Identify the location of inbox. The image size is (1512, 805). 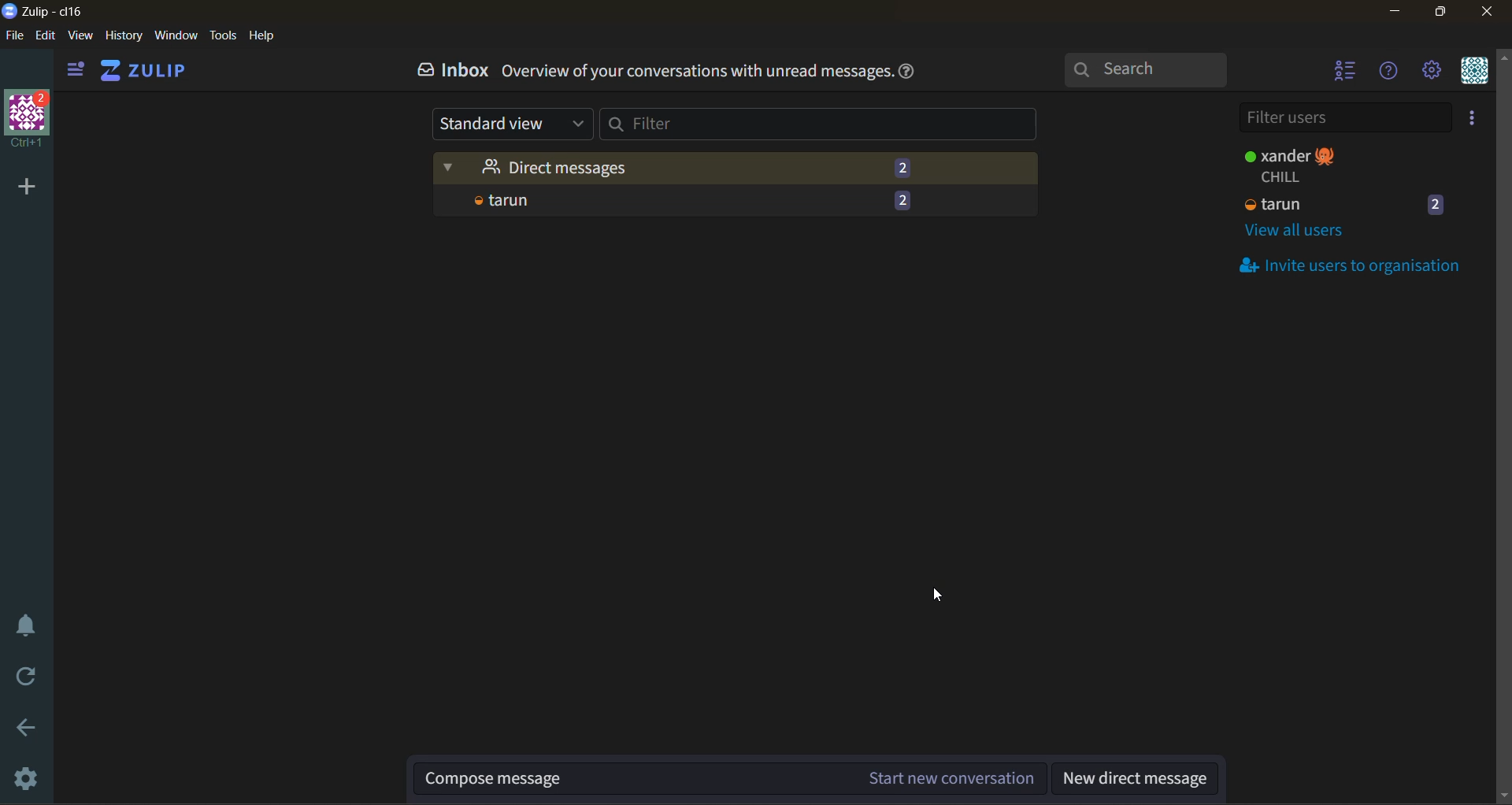
(448, 72).